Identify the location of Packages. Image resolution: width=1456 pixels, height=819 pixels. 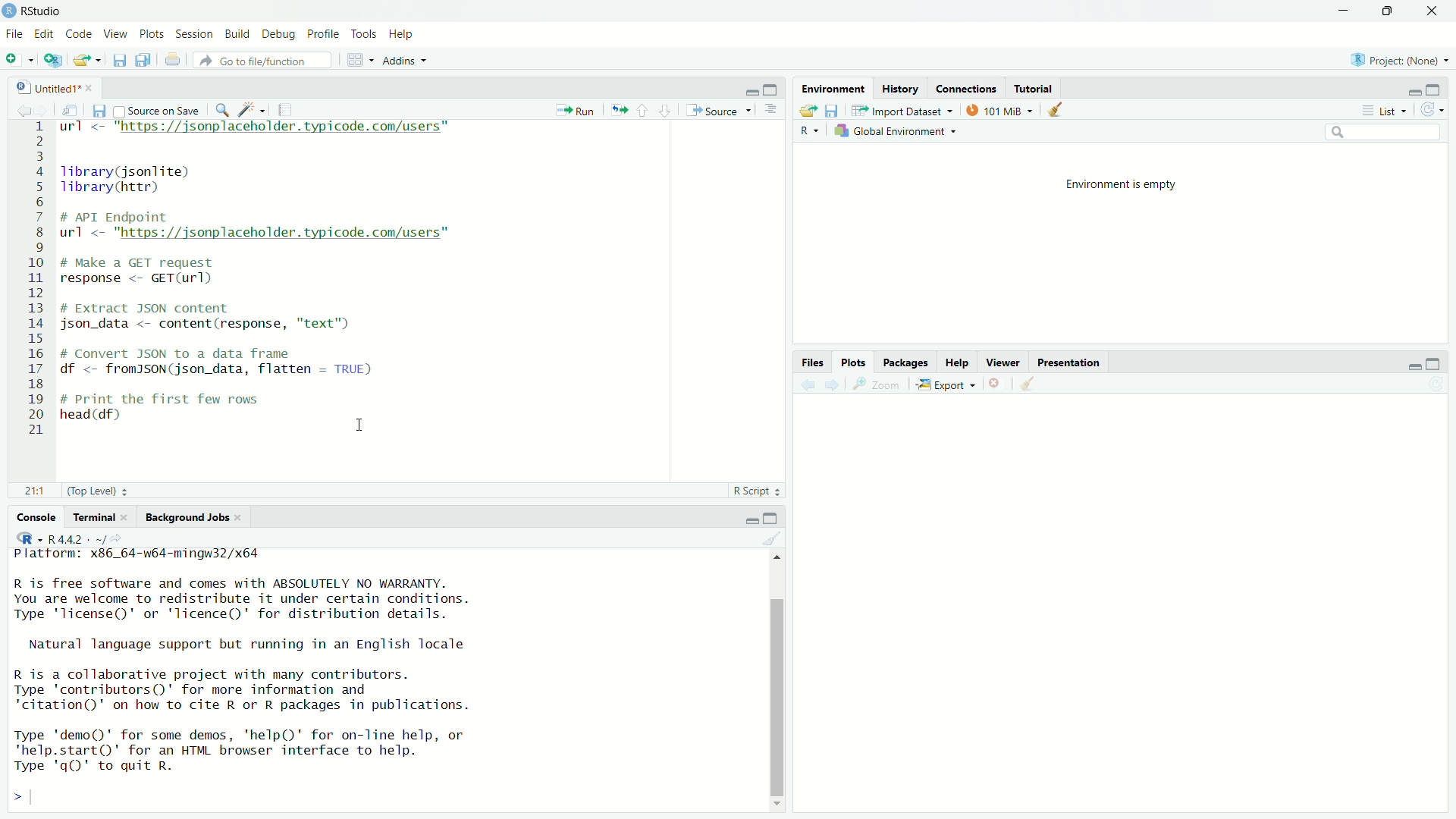
(907, 364).